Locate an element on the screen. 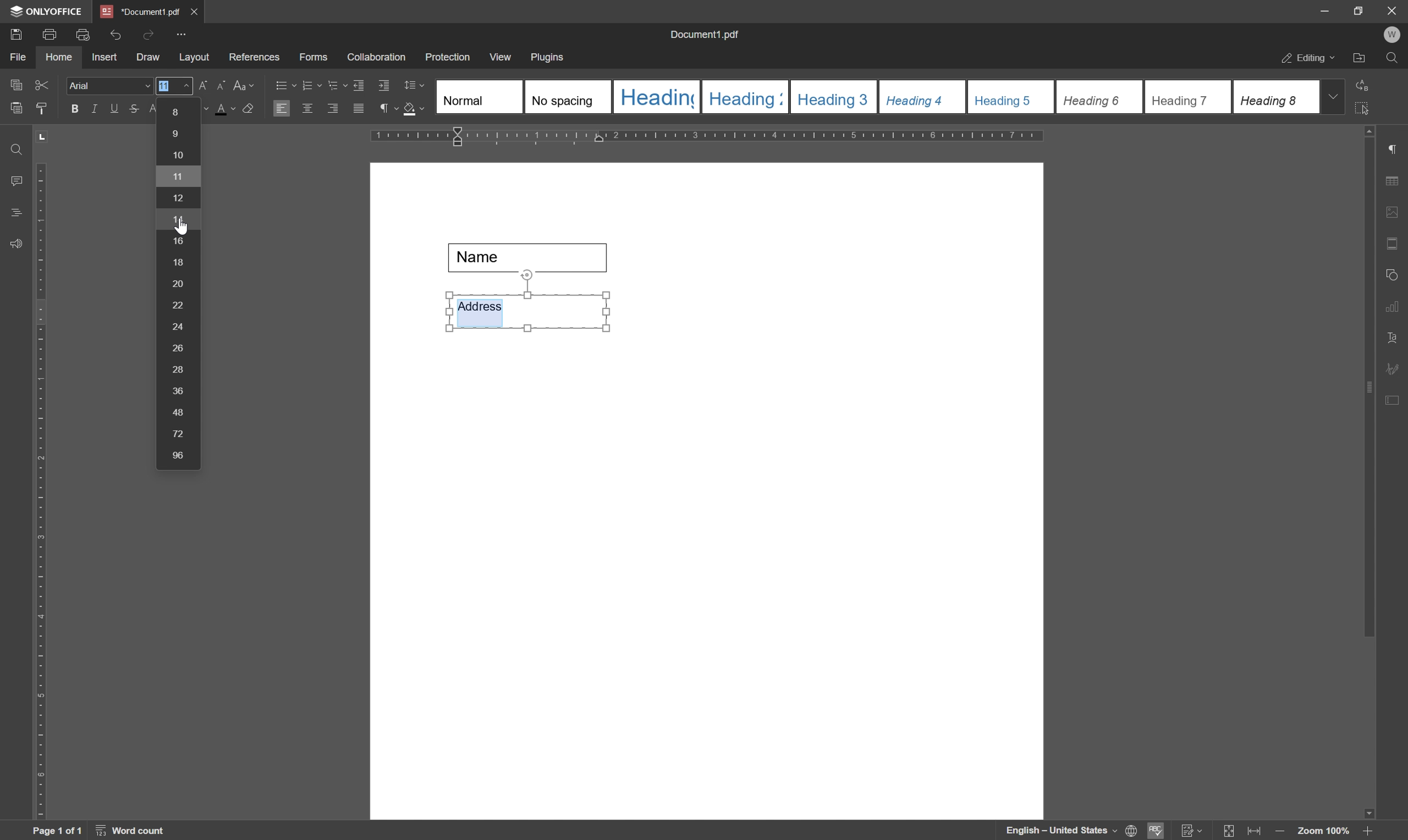 This screenshot has height=840, width=1408. plugins is located at coordinates (549, 58).